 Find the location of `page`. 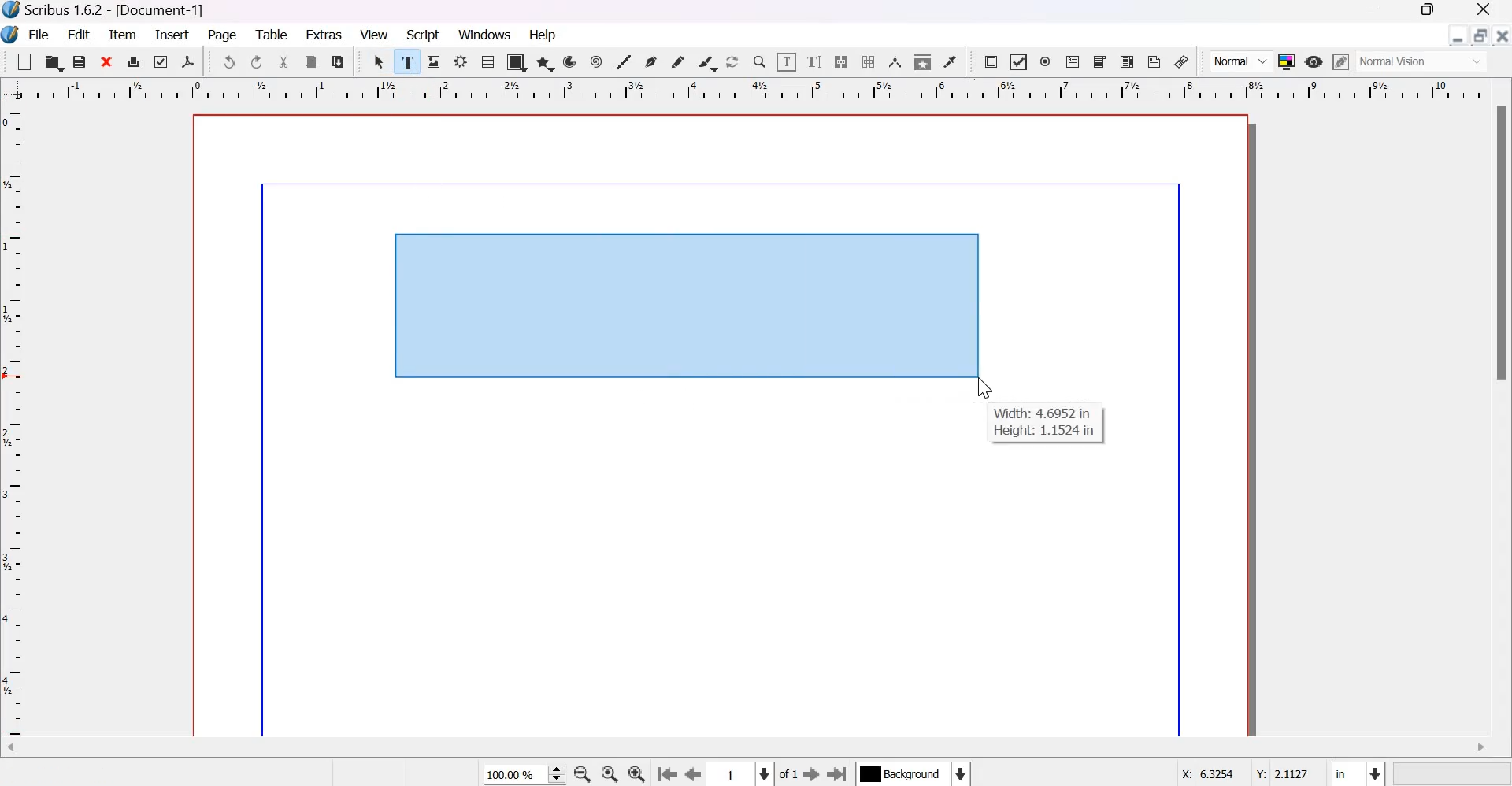

page is located at coordinates (224, 36).